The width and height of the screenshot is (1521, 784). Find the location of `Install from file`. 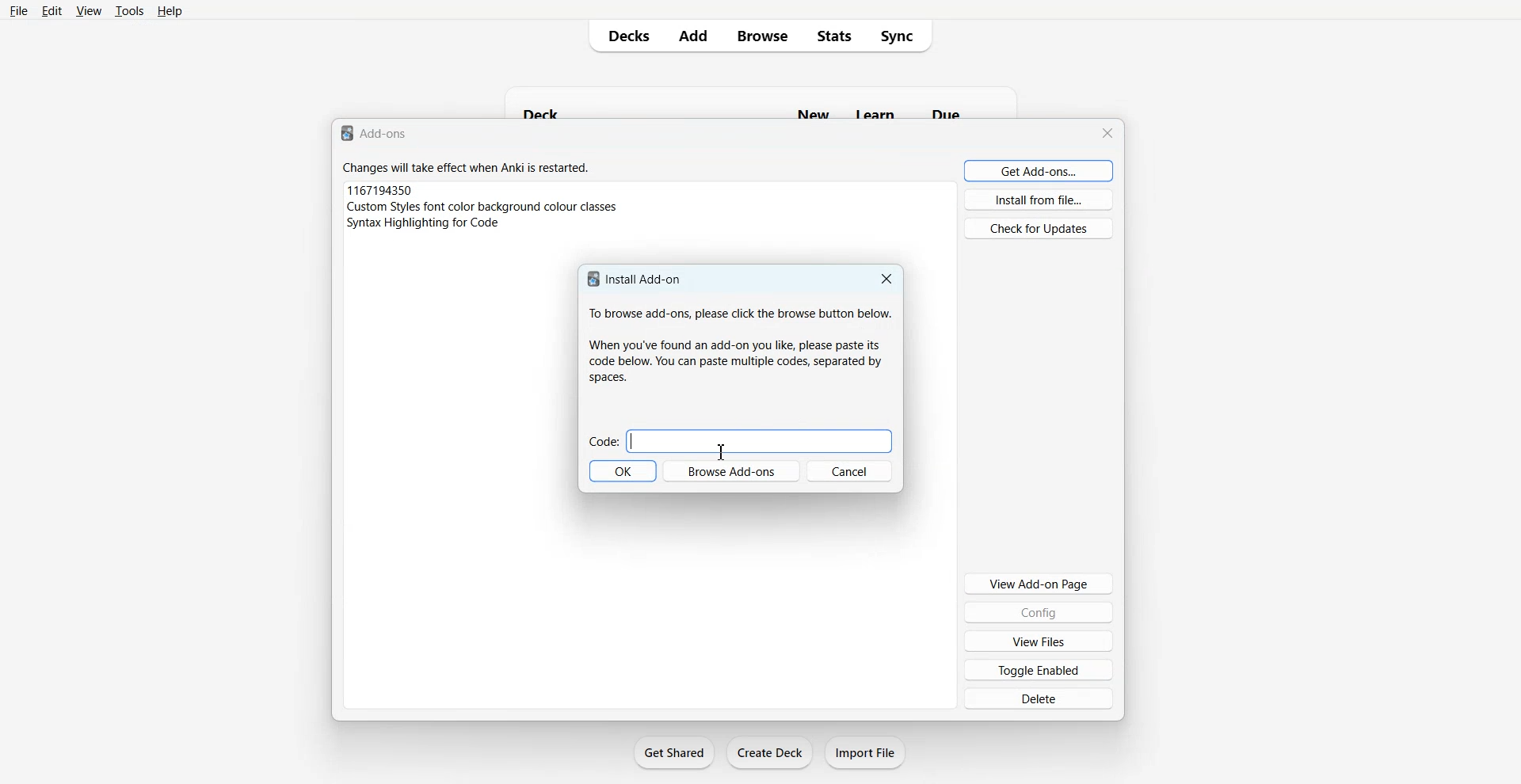

Install from file is located at coordinates (1040, 200).